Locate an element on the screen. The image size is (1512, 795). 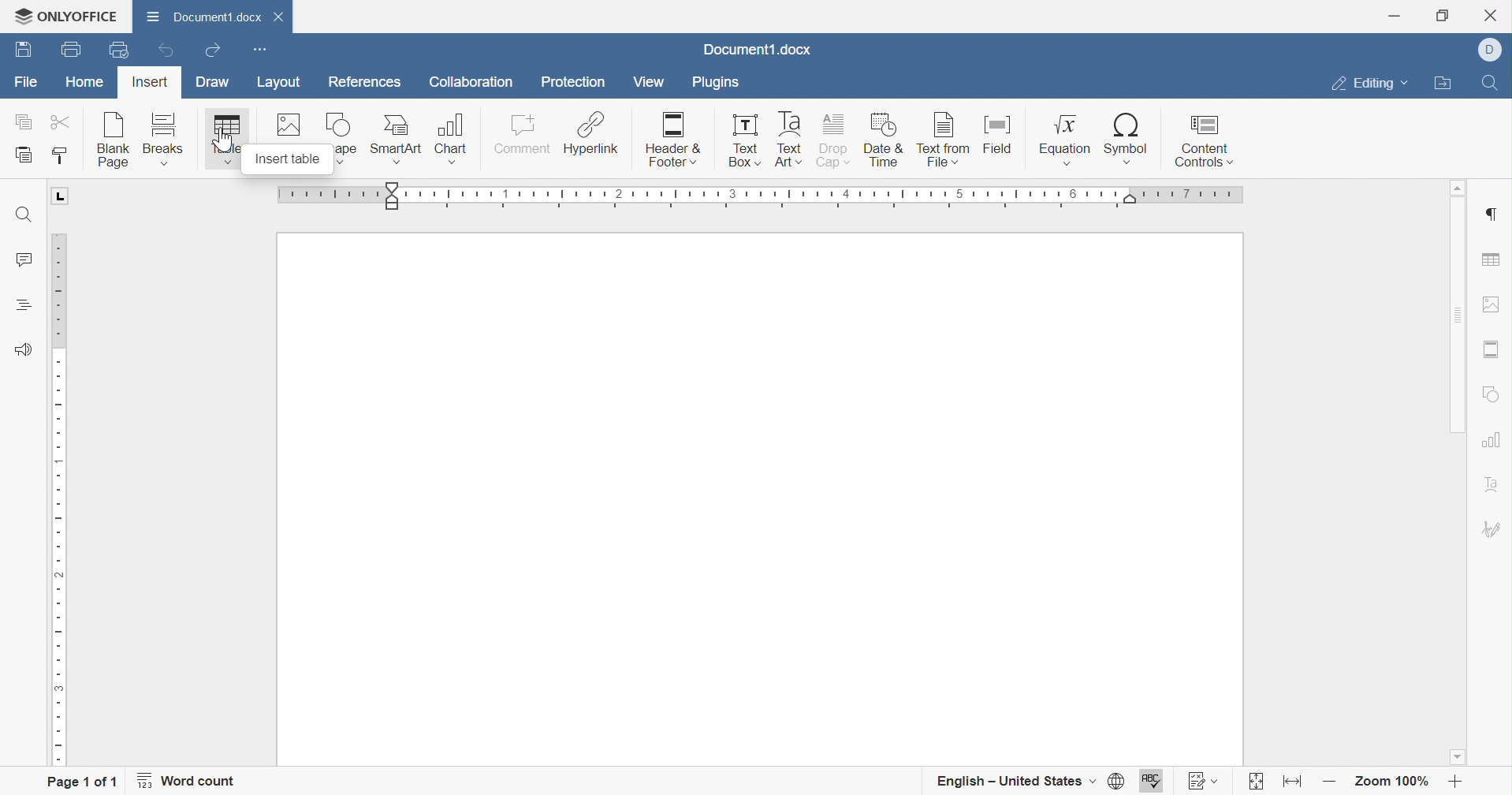
Customize Quick Access Toolbar is located at coordinates (258, 50).